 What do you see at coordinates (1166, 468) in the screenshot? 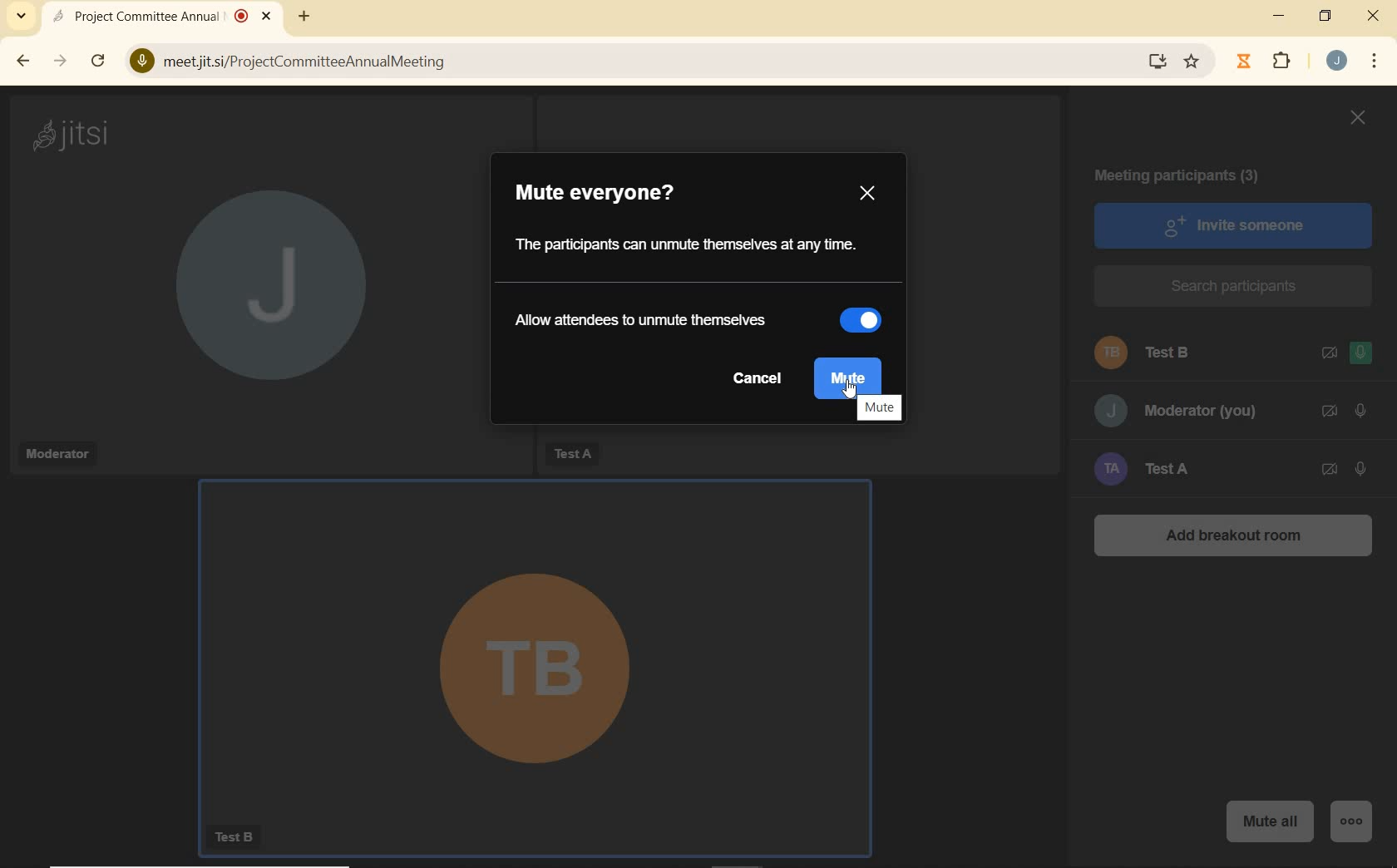
I see `PARTICIPANT A` at bounding box center [1166, 468].